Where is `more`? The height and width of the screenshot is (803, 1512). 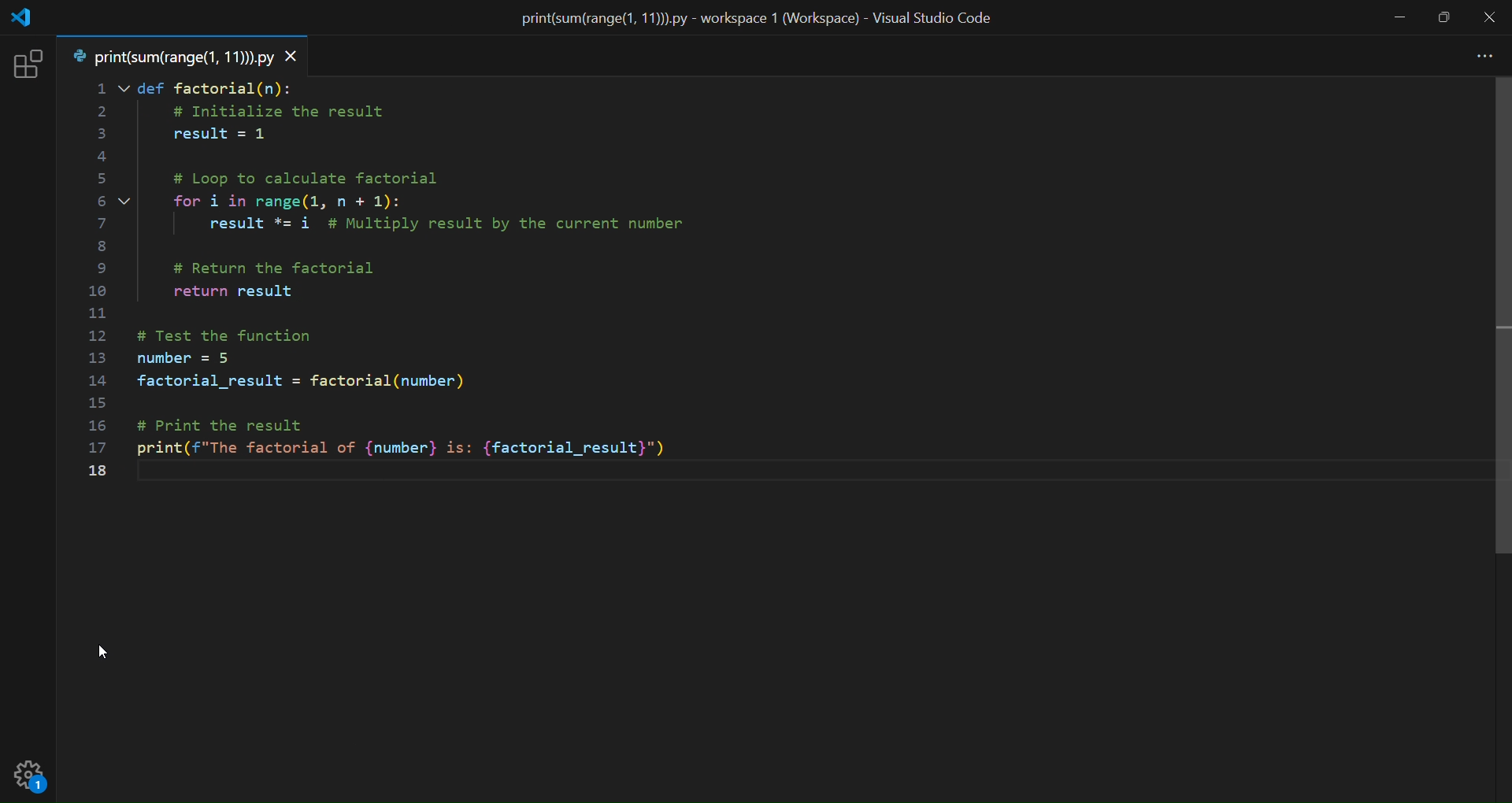
more is located at coordinates (1479, 57).